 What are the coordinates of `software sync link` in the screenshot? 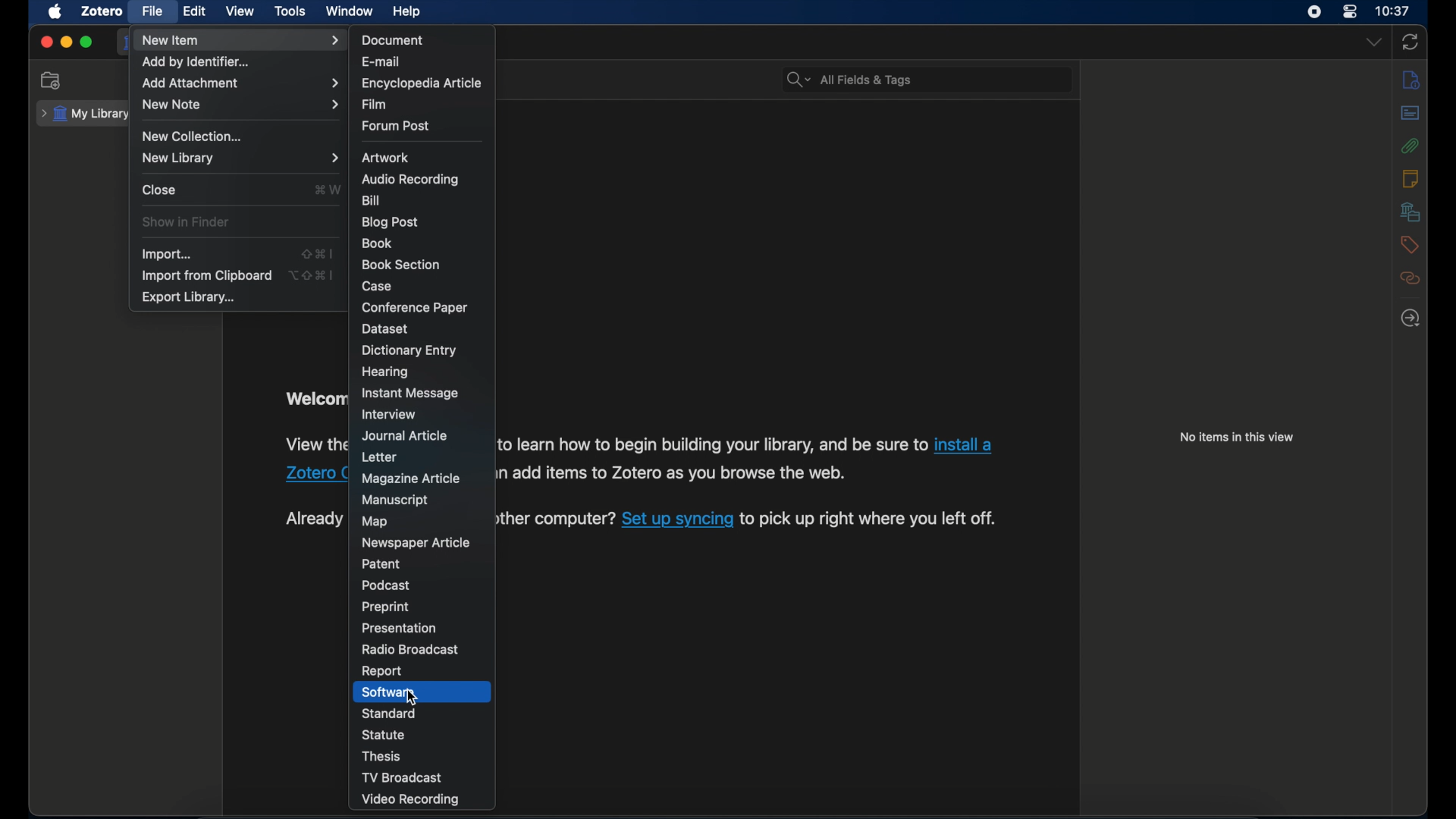 It's located at (676, 519).